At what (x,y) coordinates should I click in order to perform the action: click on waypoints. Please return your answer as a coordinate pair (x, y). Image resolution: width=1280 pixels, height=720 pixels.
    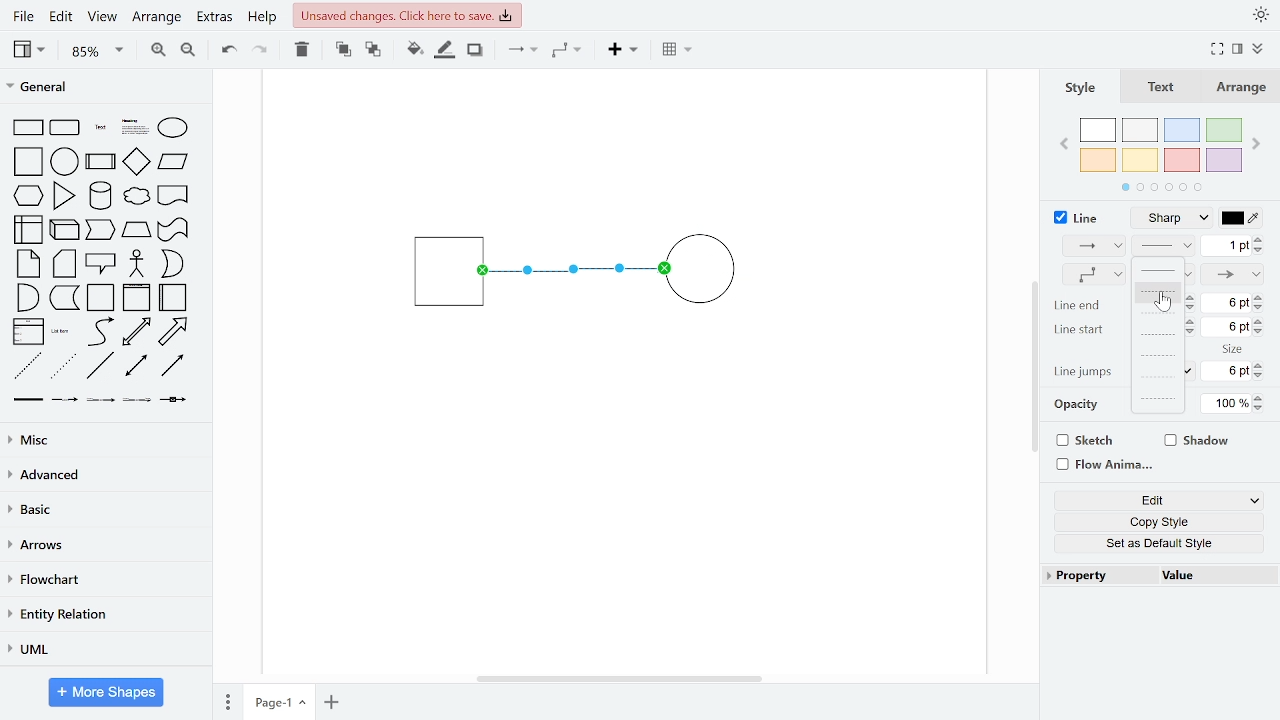
    Looking at the image, I should click on (572, 50).